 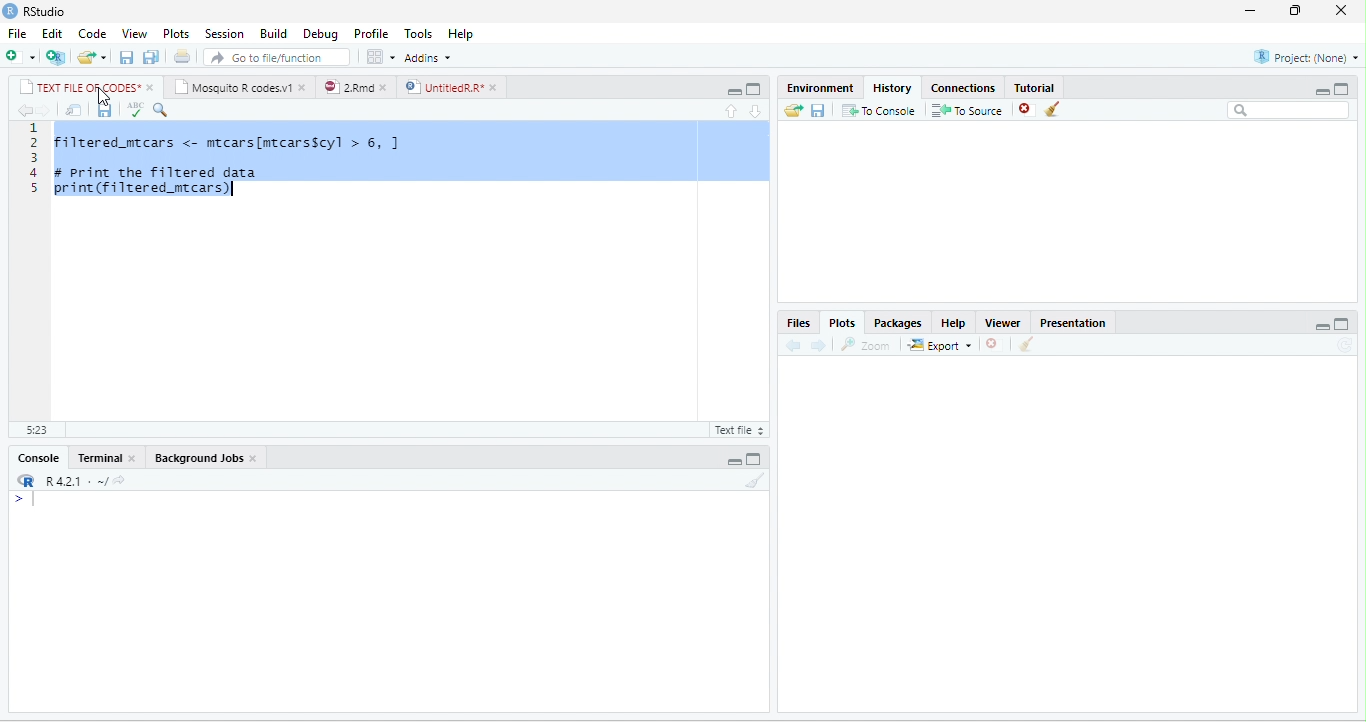 I want to click on Plots, so click(x=843, y=323).